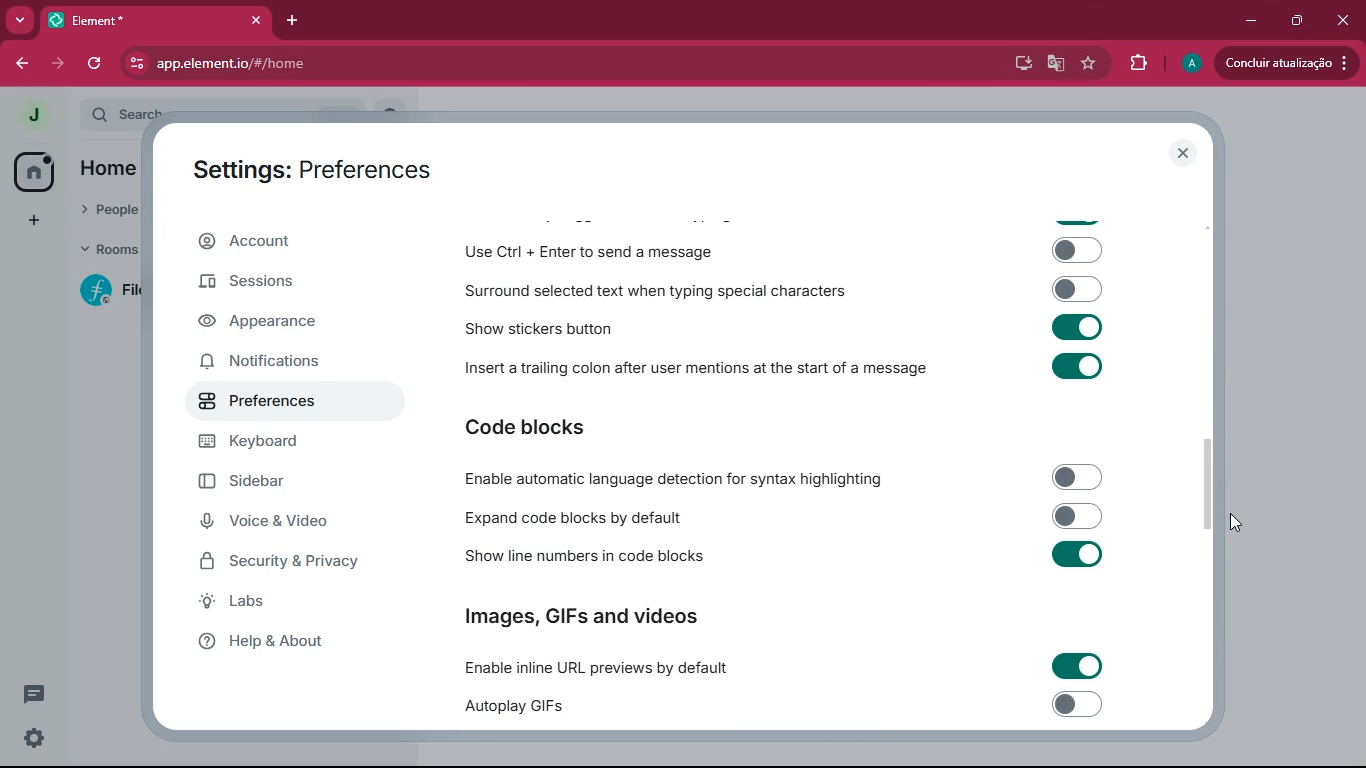  What do you see at coordinates (293, 241) in the screenshot?
I see `account` at bounding box center [293, 241].